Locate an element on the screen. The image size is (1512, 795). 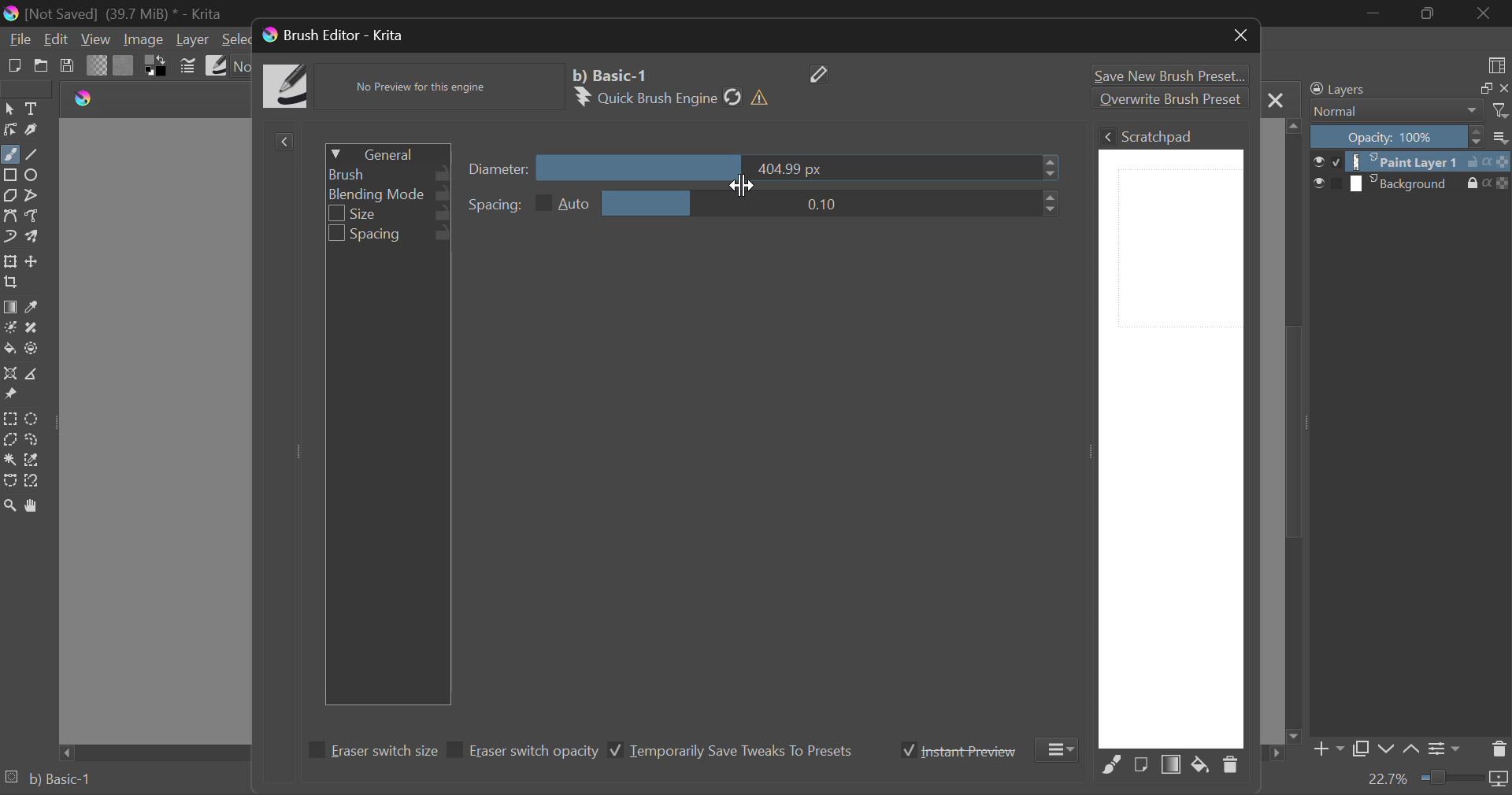
Continuous Selection is located at coordinates (9, 460).